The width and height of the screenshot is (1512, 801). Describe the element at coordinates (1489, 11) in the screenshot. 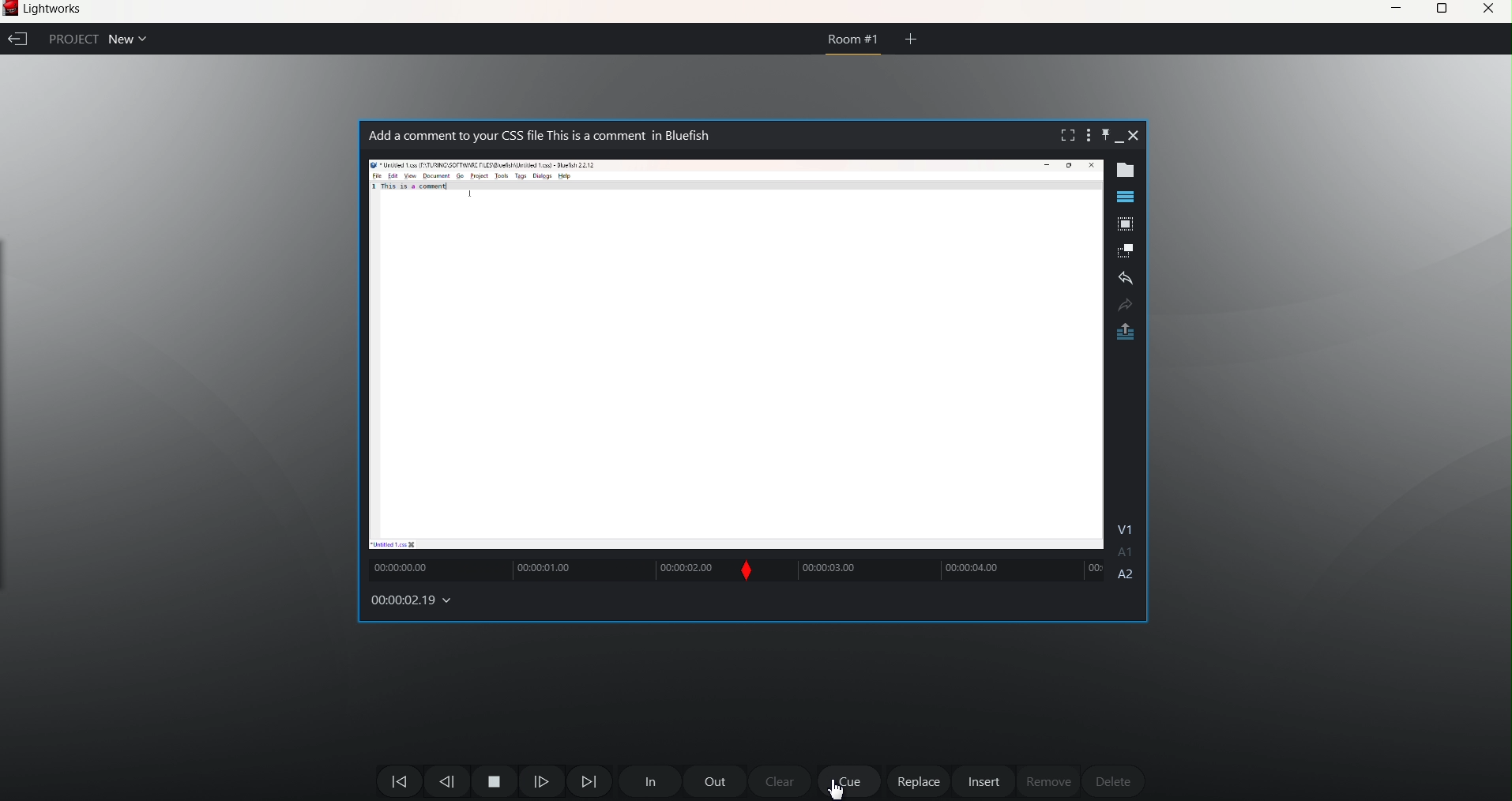

I see `cloe` at that location.